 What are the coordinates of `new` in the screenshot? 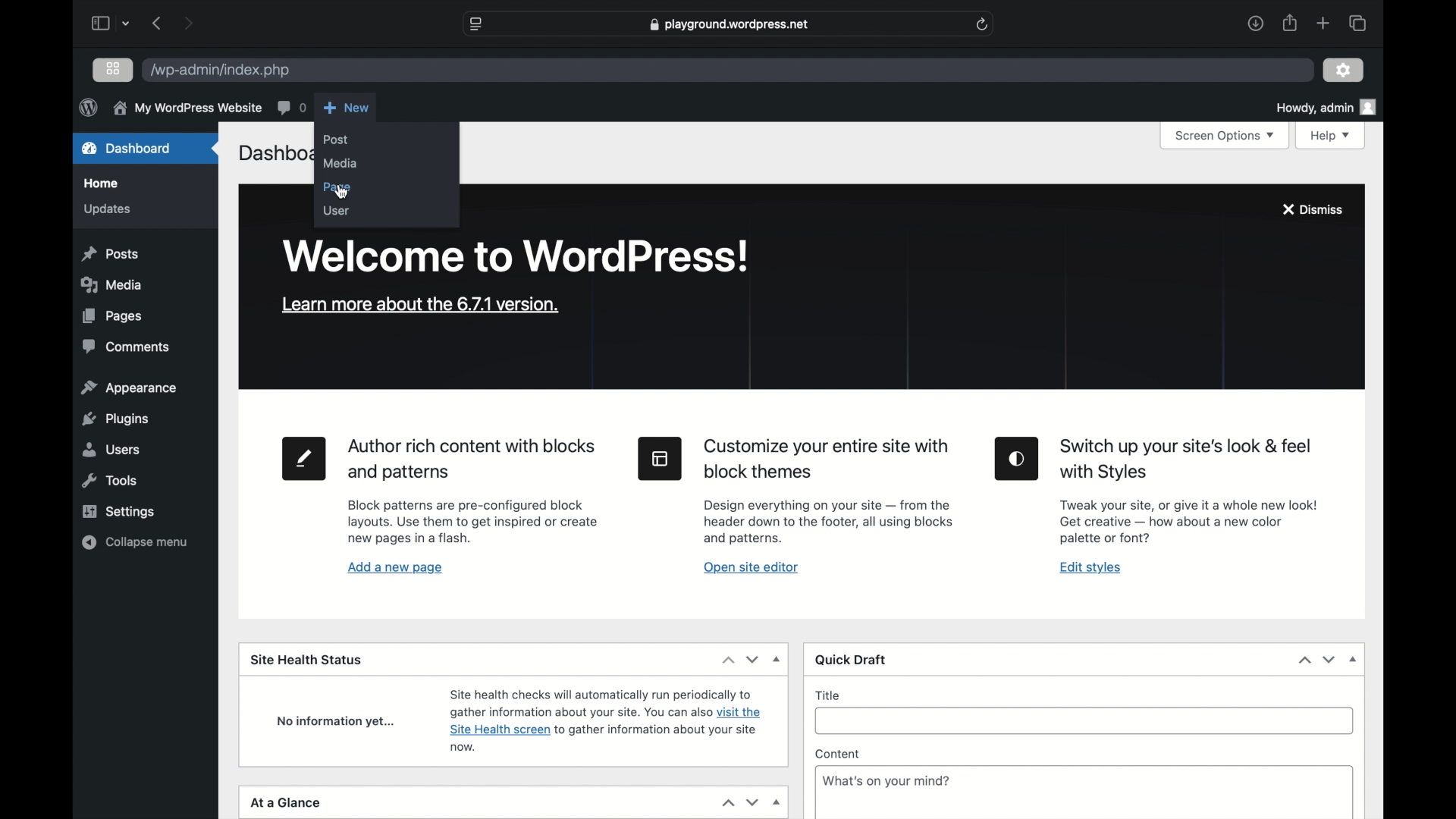 It's located at (346, 107).